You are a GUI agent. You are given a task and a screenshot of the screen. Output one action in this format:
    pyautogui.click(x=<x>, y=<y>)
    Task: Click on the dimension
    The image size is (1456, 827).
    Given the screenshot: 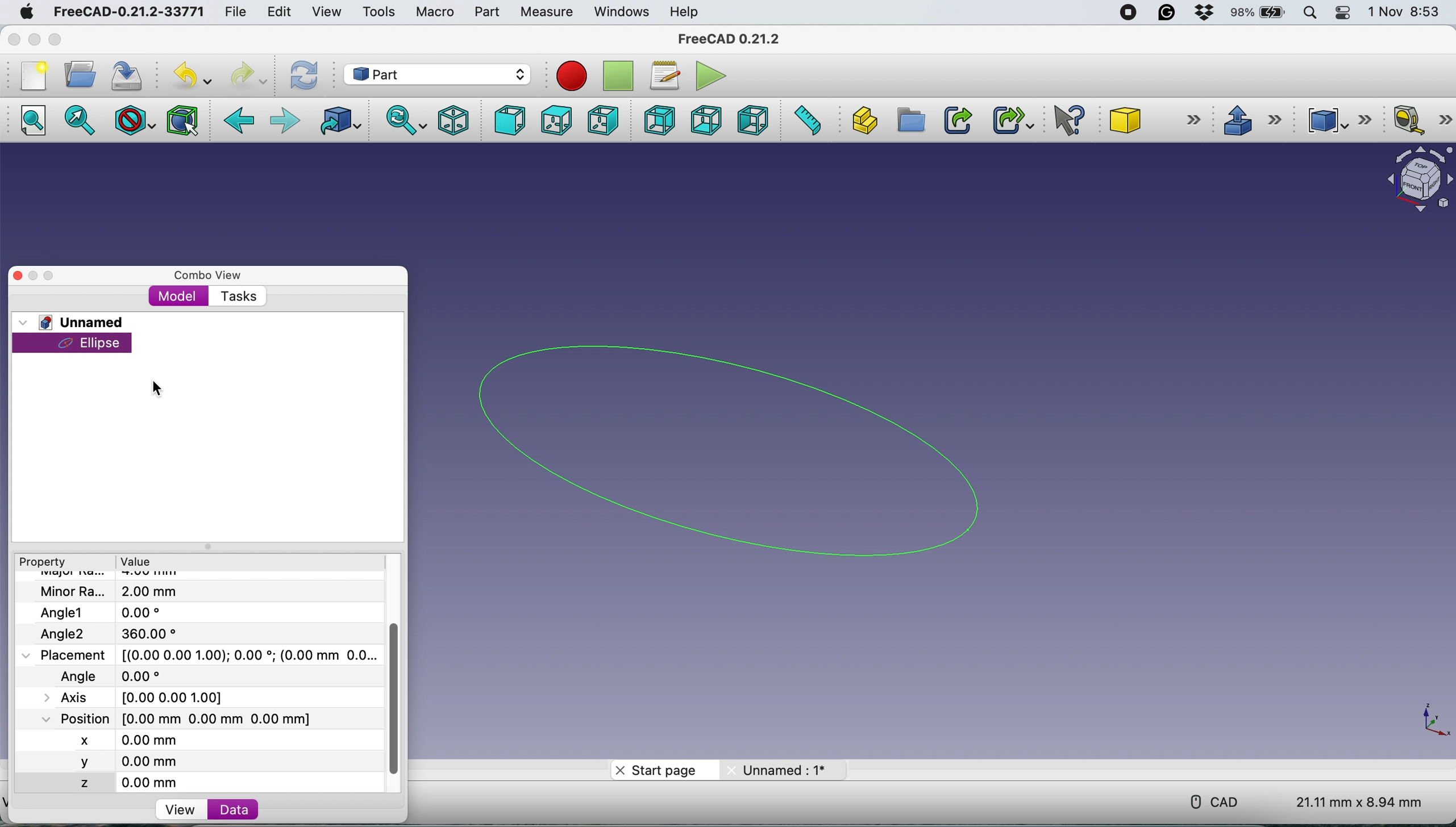 What is the action you would take?
    pyautogui.click(x=1362, y=802)
    